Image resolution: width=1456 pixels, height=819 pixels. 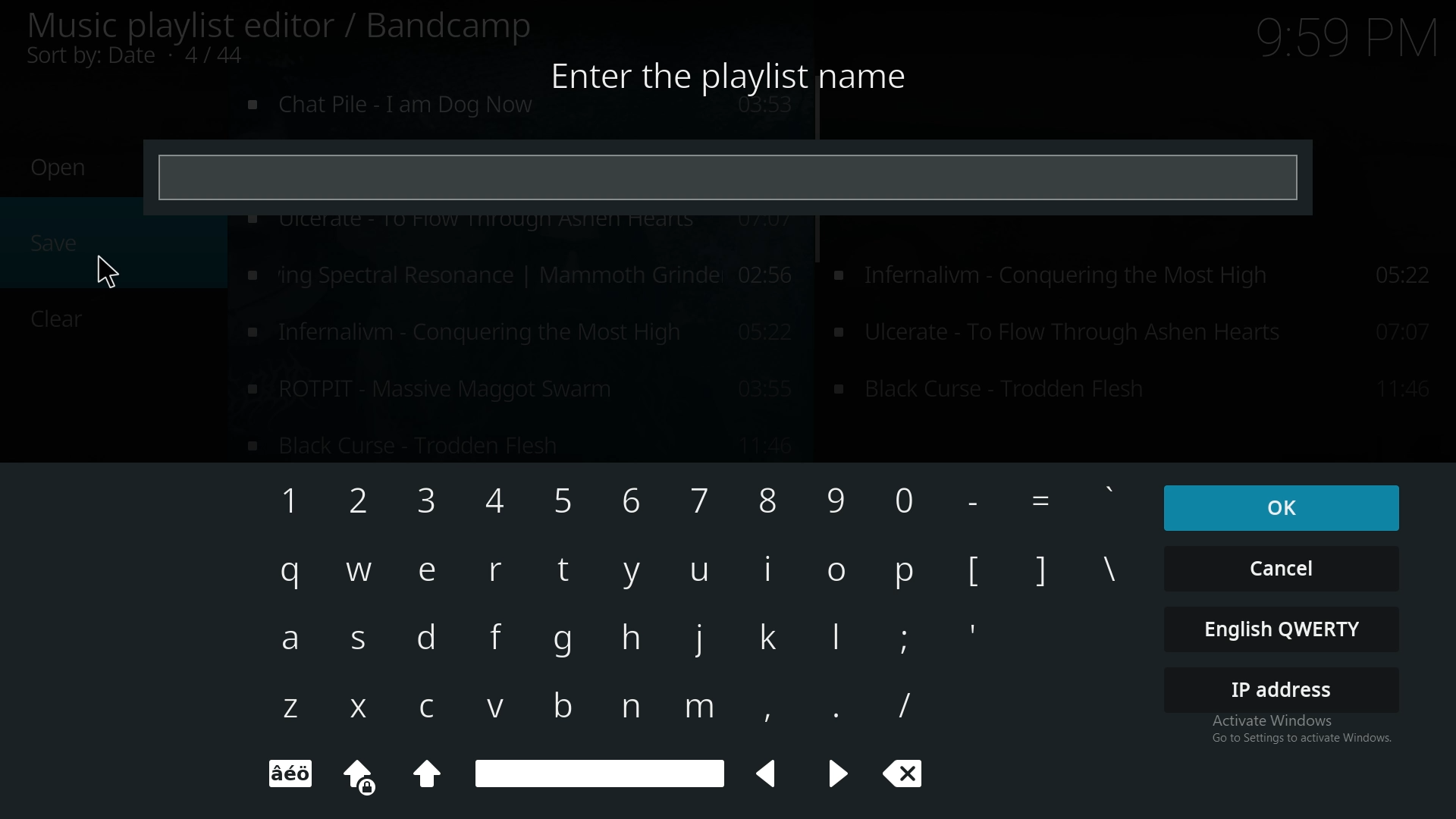 I want to click on Special Characters, so click(x=297, y=774).